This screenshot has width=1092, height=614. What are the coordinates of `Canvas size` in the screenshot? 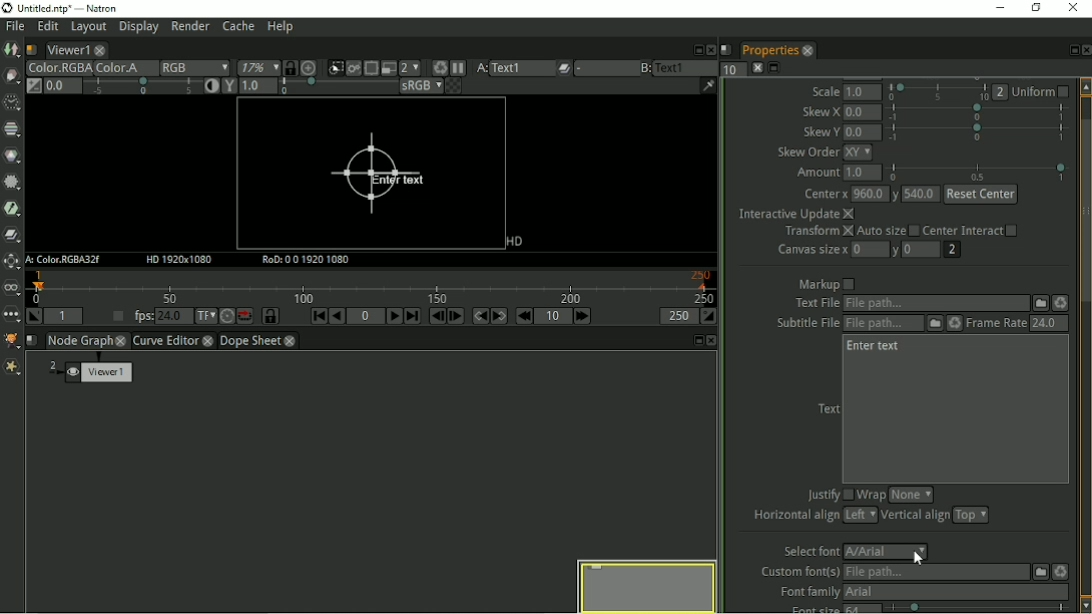 It's located at (810, 251).